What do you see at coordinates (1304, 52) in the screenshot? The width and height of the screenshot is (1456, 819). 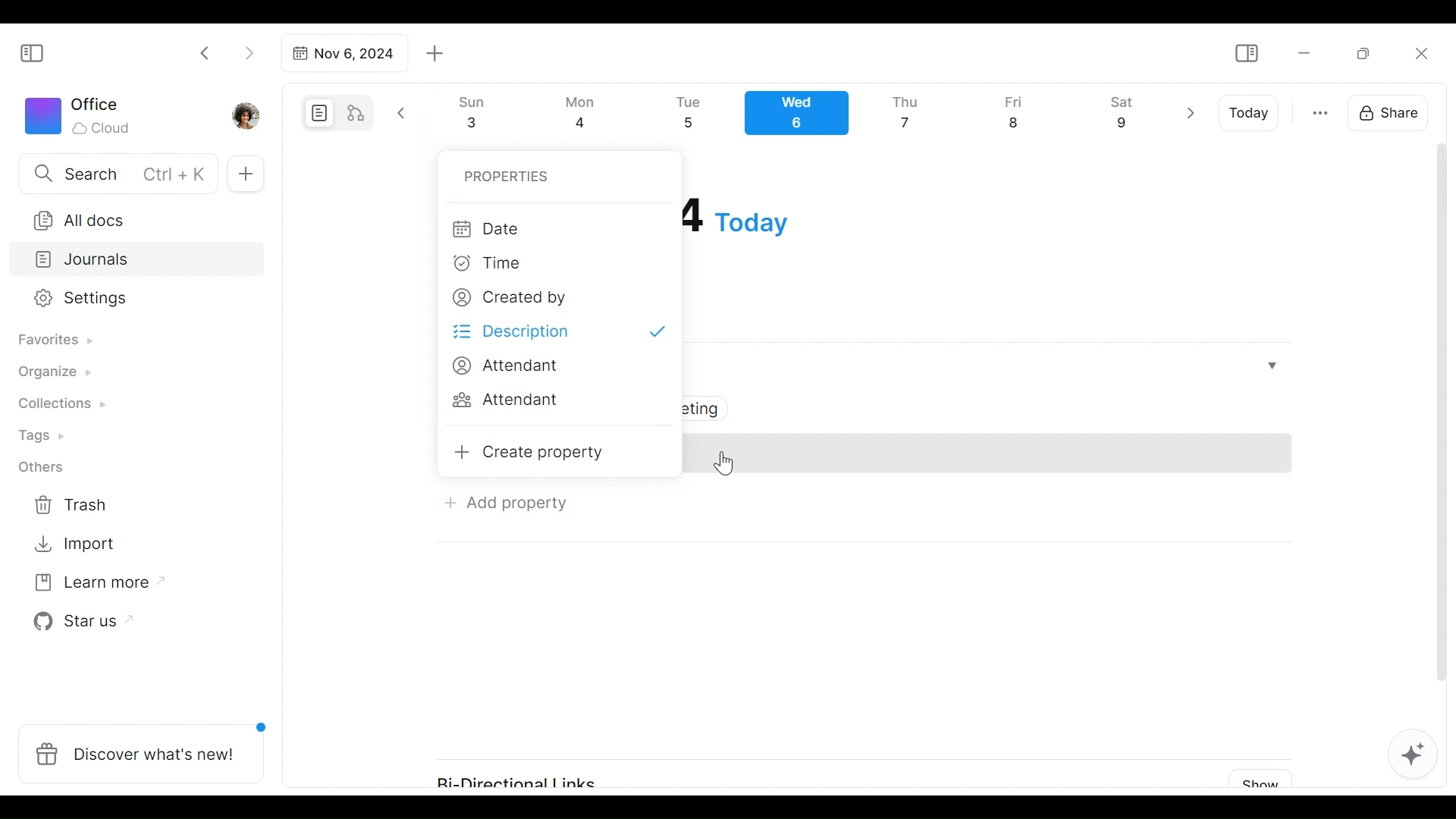 I see `Minimize` at bounding box center [1304, 52].